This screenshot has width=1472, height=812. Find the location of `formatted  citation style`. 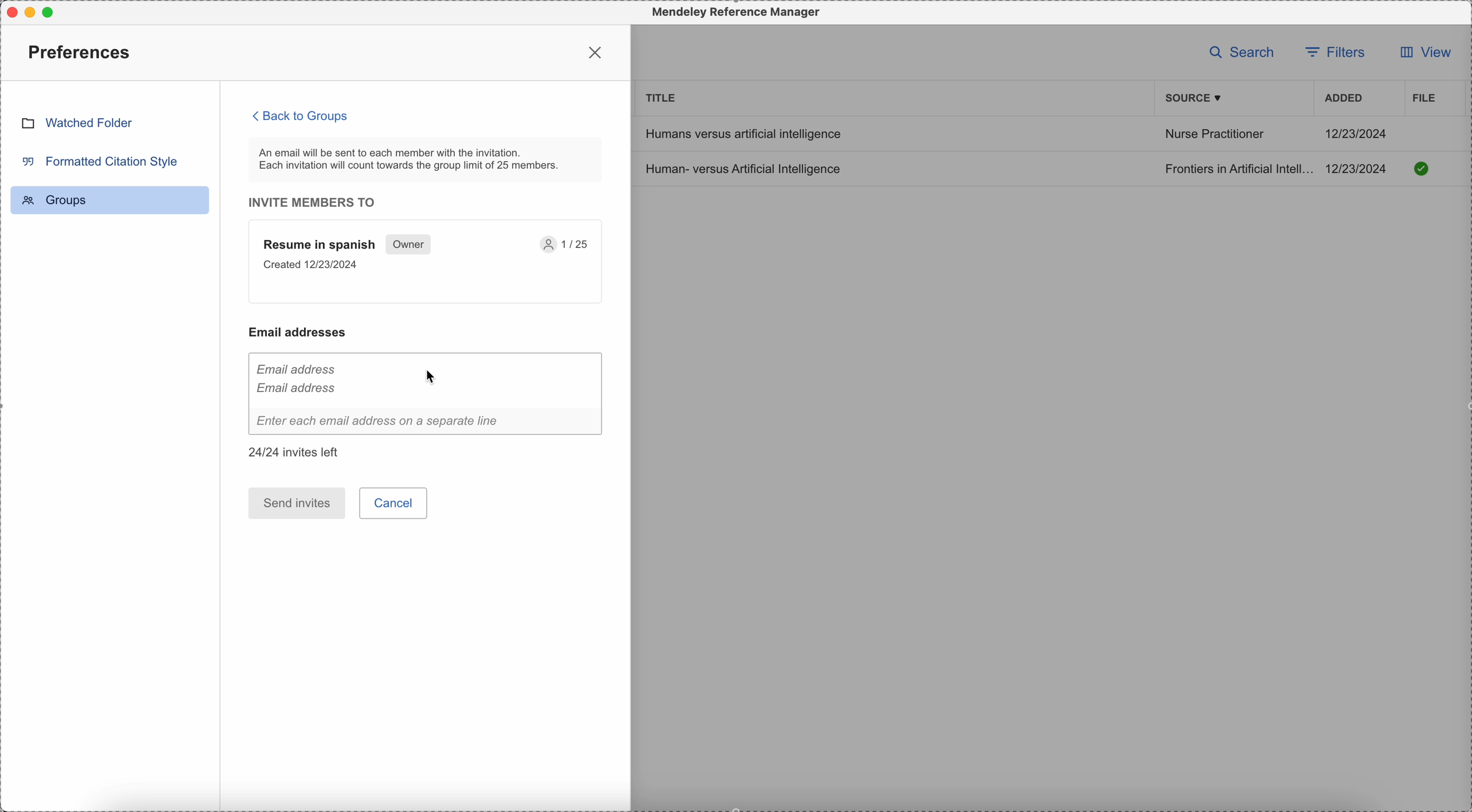

formatted  citation style is located at coordinates (98, 161).